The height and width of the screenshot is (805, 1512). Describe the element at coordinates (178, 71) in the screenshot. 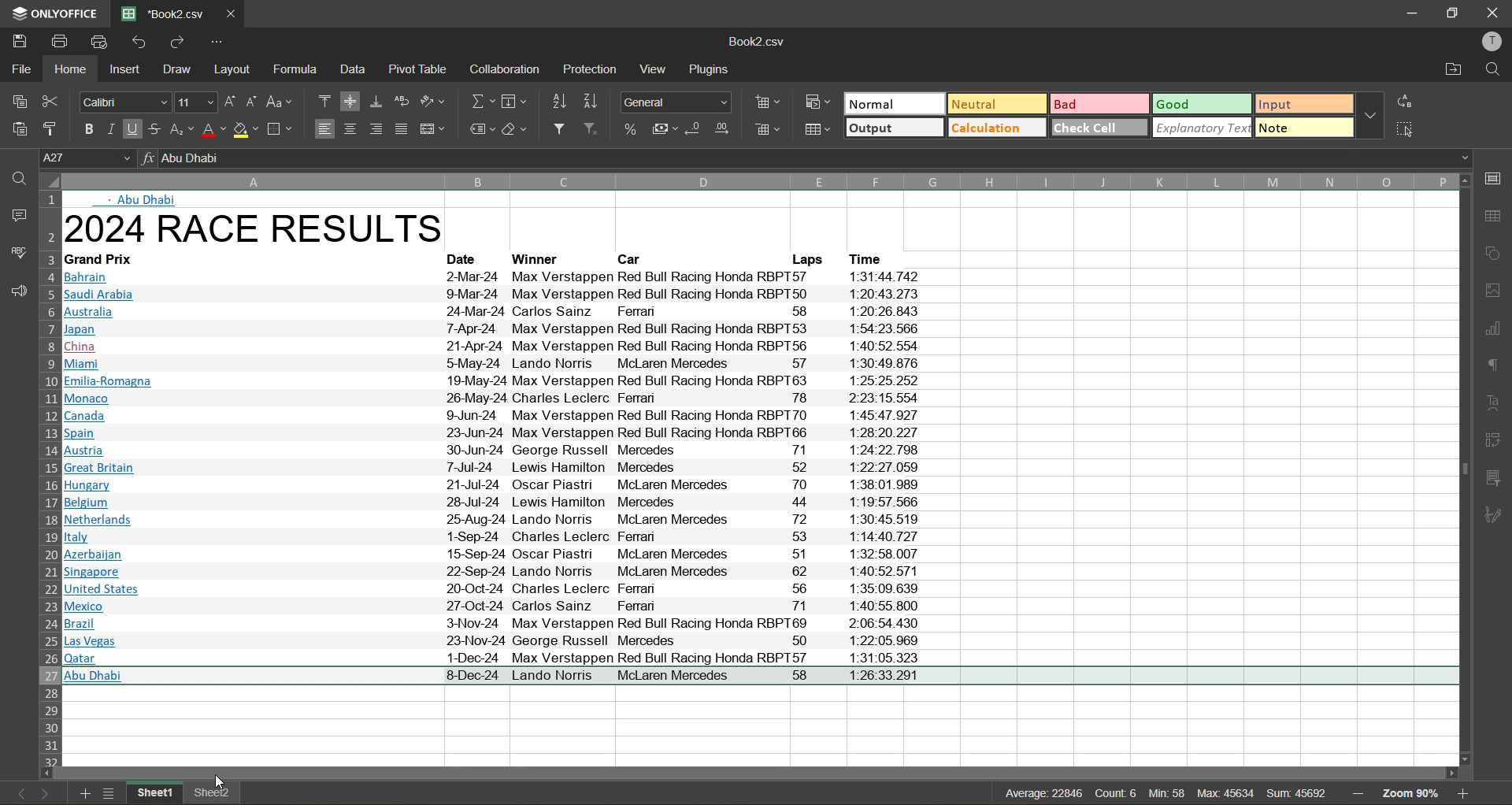

I see `draw` at that location.